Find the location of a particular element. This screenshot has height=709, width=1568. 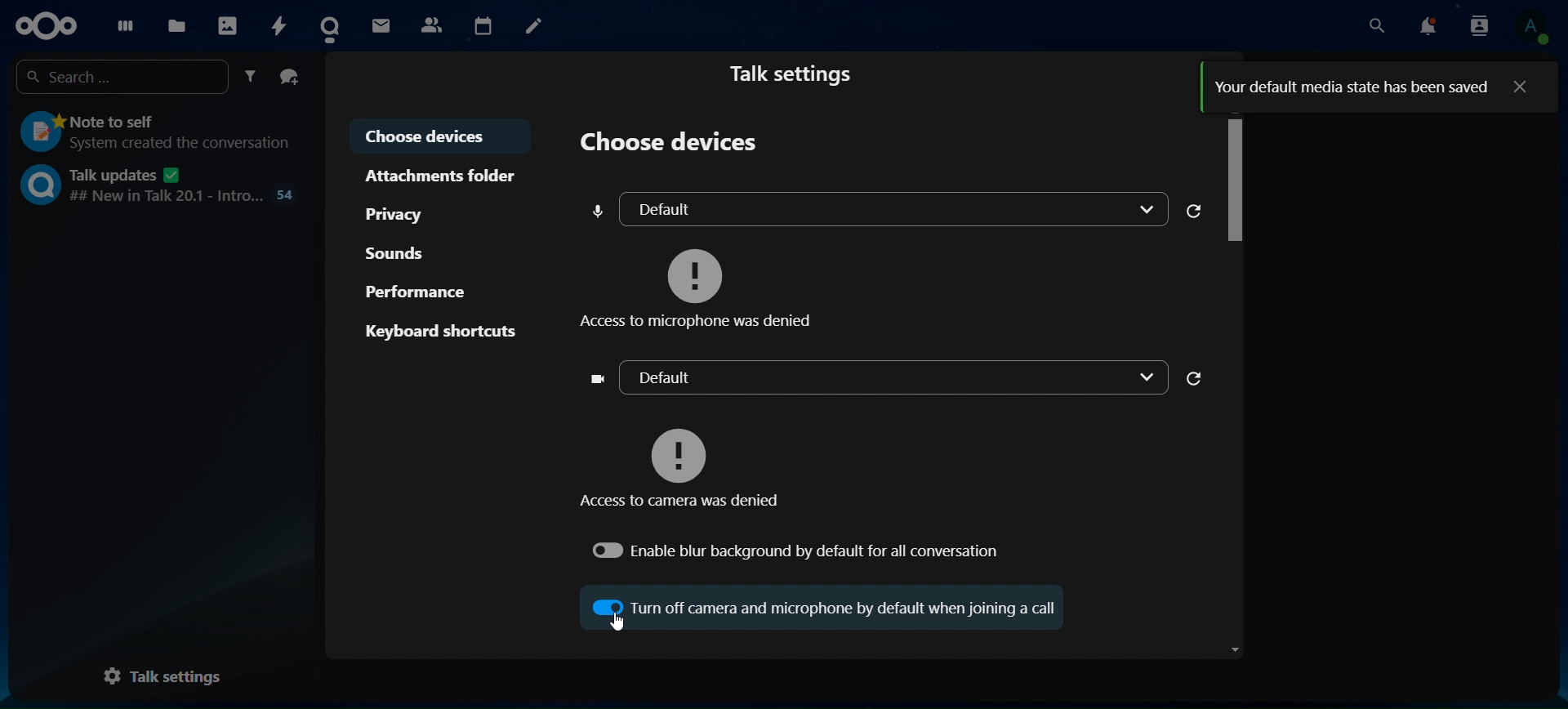

search is located at coordinates (123, 75).